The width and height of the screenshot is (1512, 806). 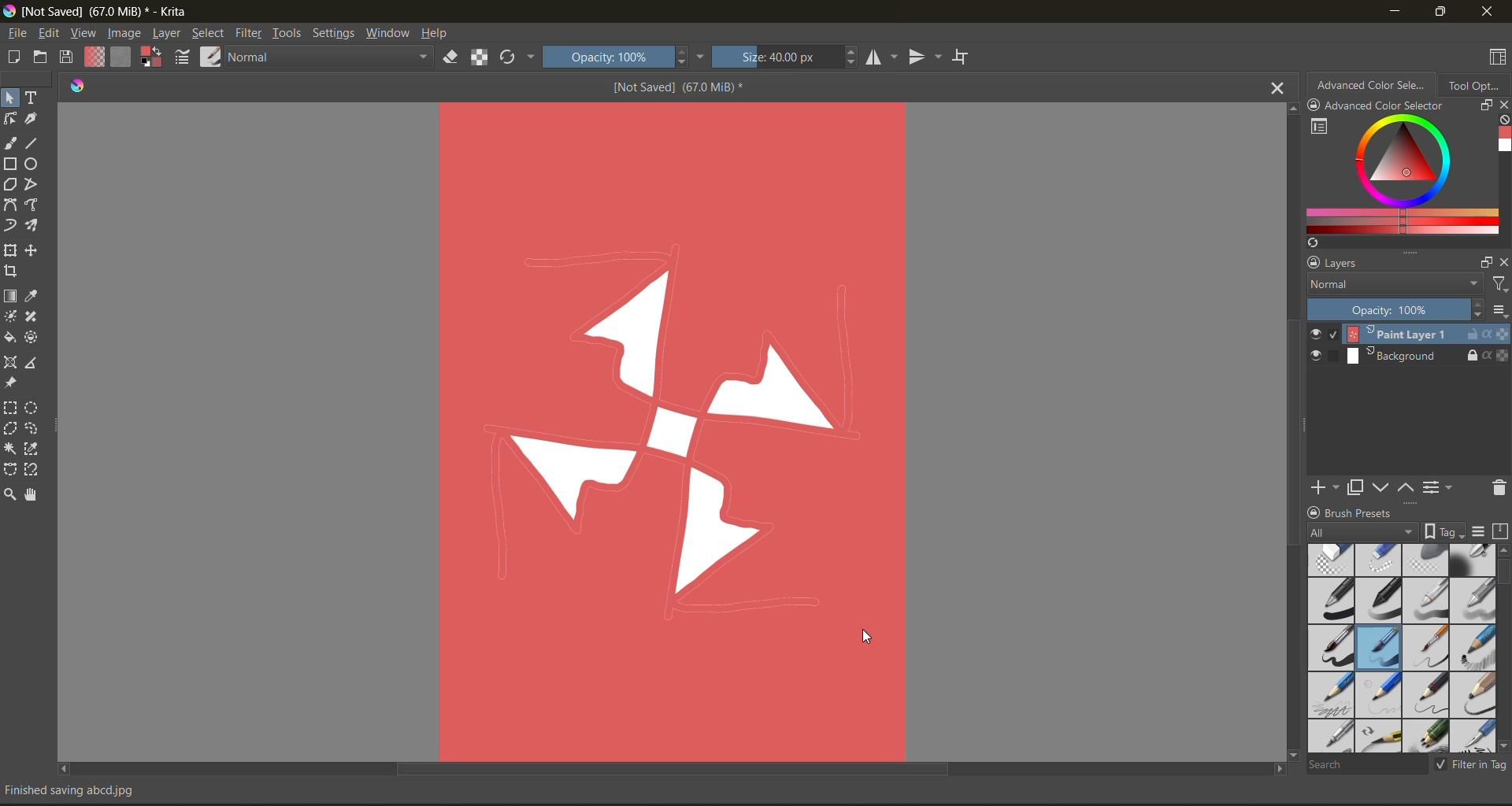 I want to click on edit brush settings, so click(x=183, y=59).